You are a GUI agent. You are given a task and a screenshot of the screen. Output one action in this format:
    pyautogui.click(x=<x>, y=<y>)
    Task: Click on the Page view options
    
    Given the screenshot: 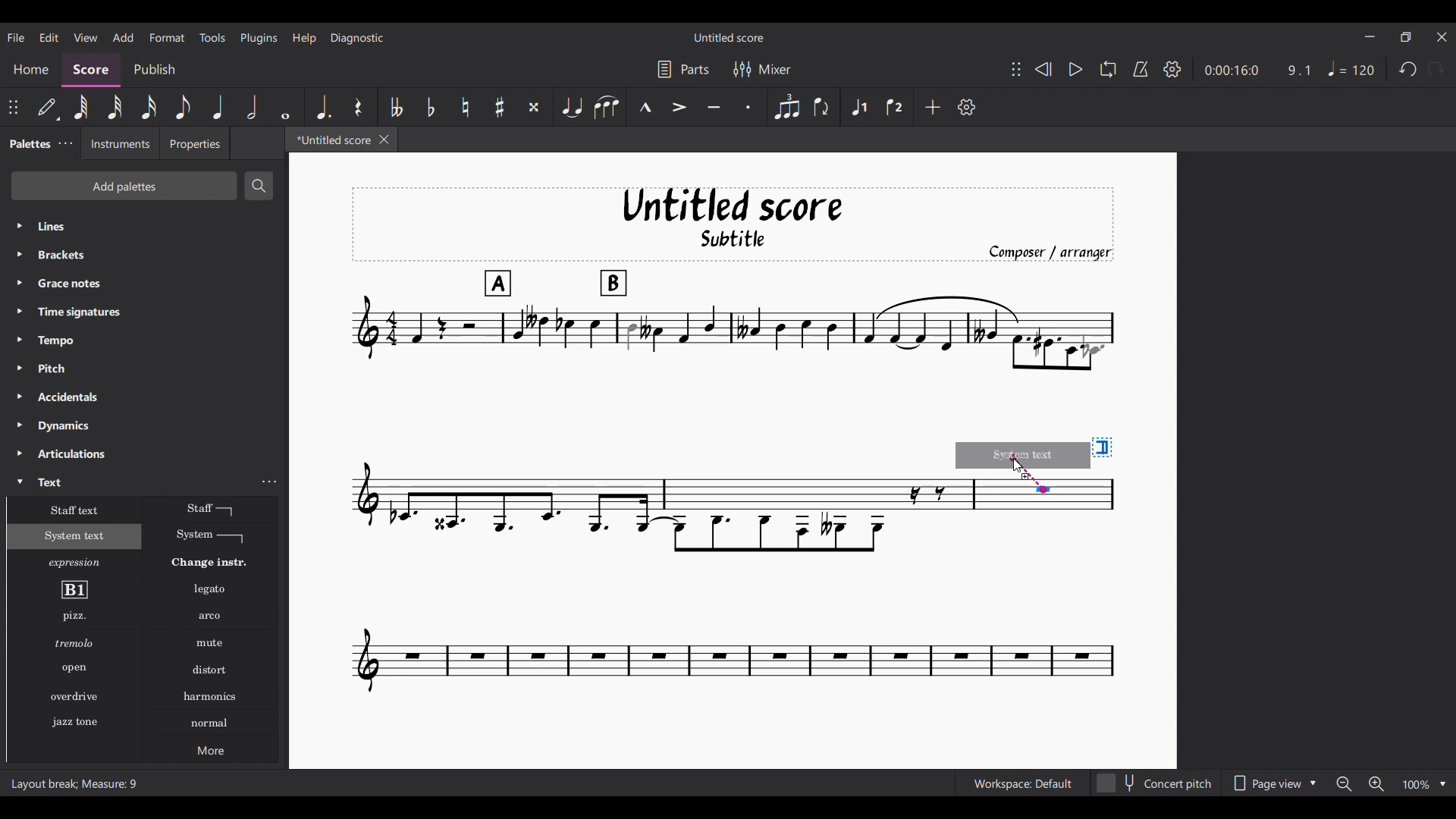 What is the action you would take?
    pyautogui.click(x=1272, y=783)
    